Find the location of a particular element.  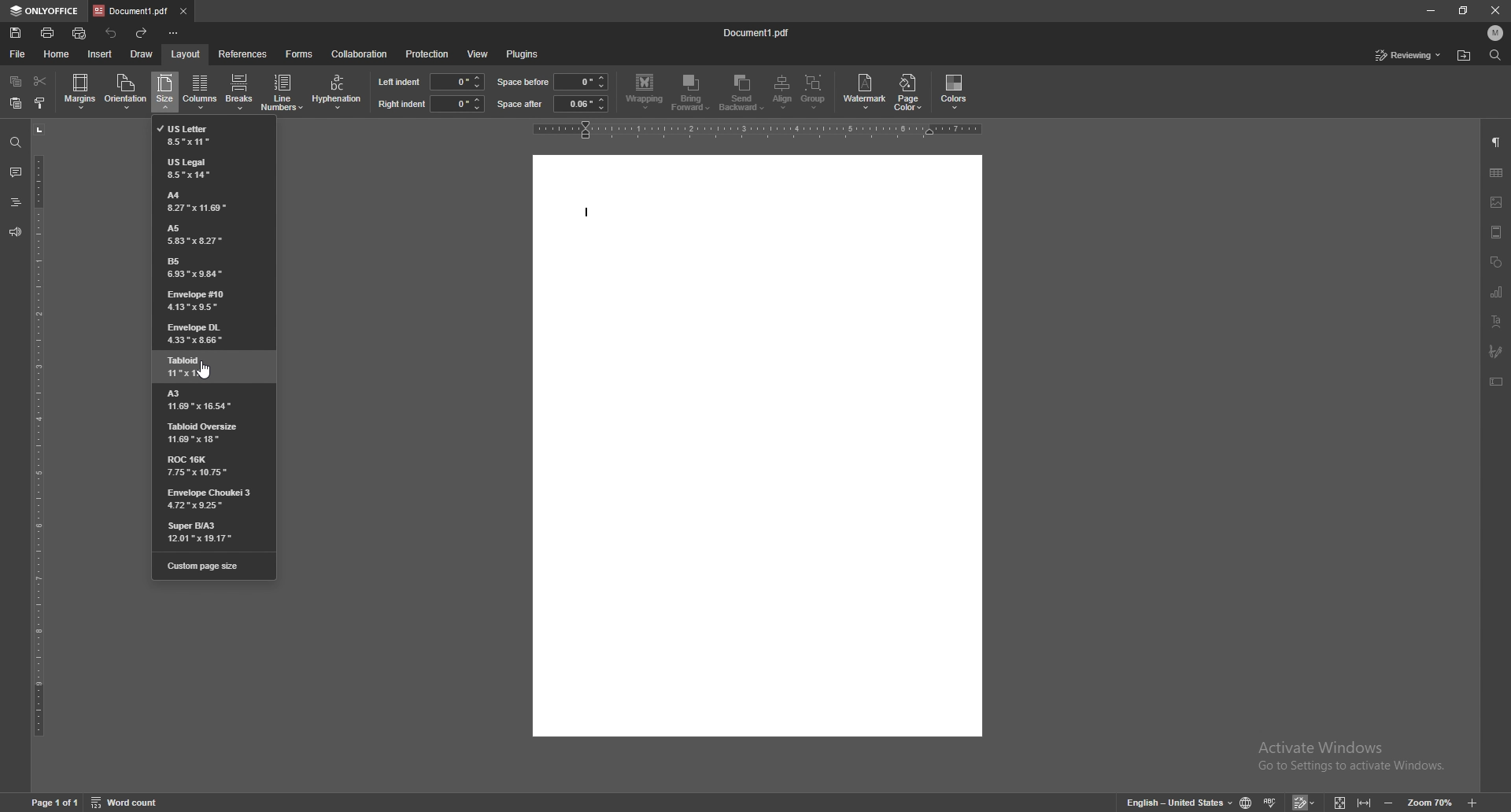

roc 16k is located at coordinates (210, 464).